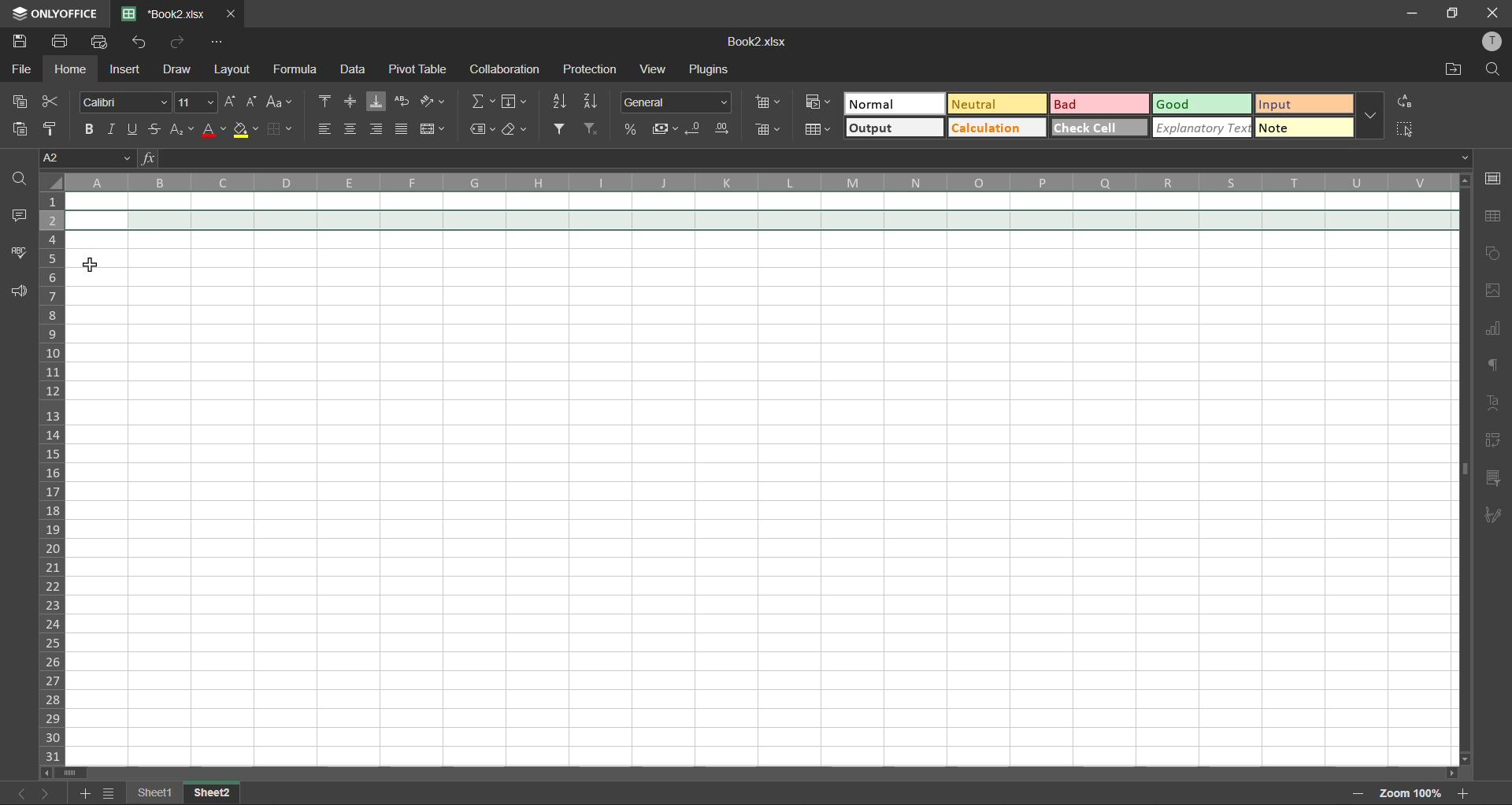  I want to click on more options, so click(1370, 116).